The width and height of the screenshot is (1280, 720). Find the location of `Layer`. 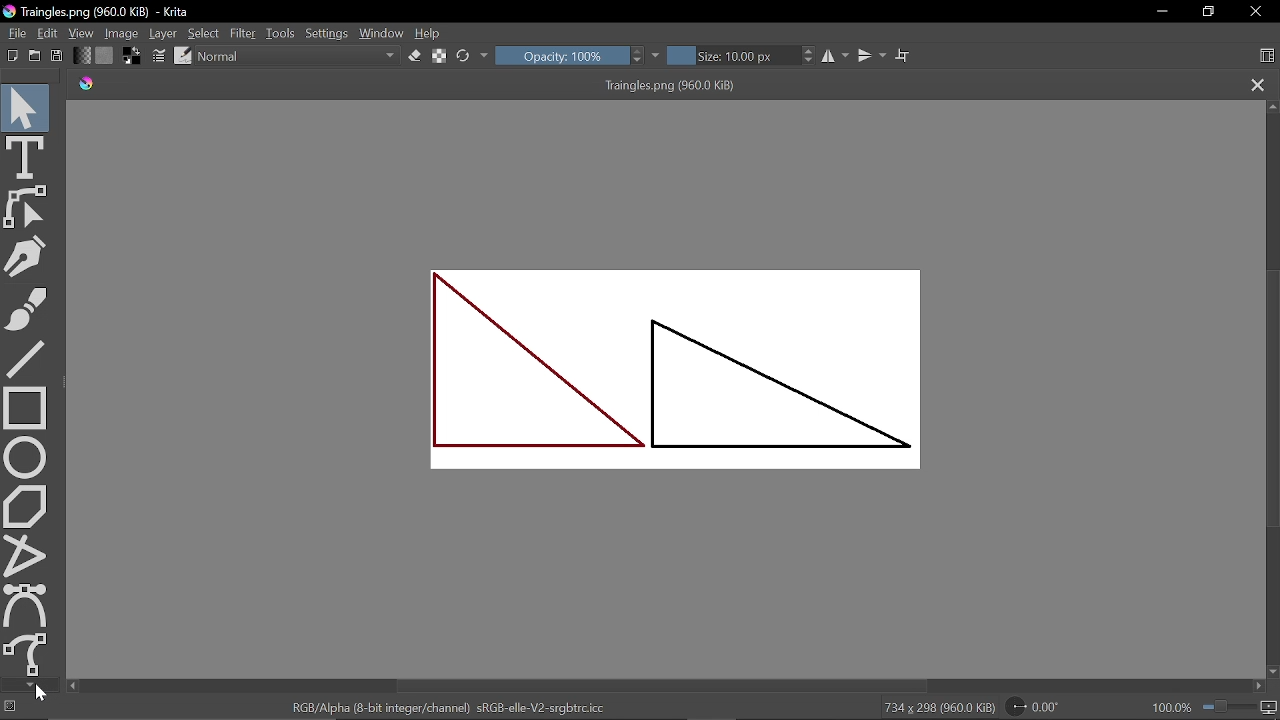

Layer is located at coordinates (164, 33).